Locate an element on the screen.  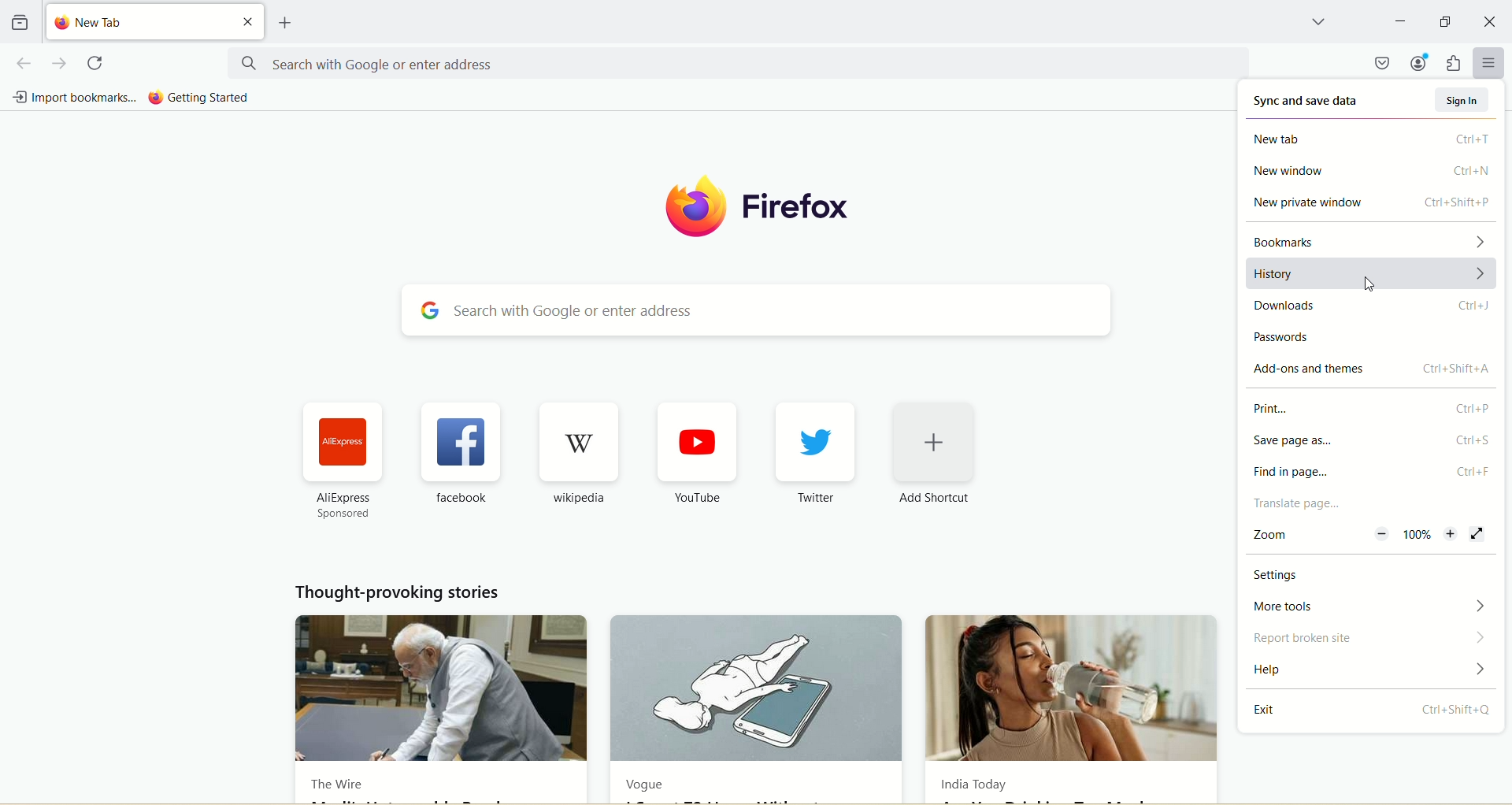
minimize is located at coordinates (1399, 20).